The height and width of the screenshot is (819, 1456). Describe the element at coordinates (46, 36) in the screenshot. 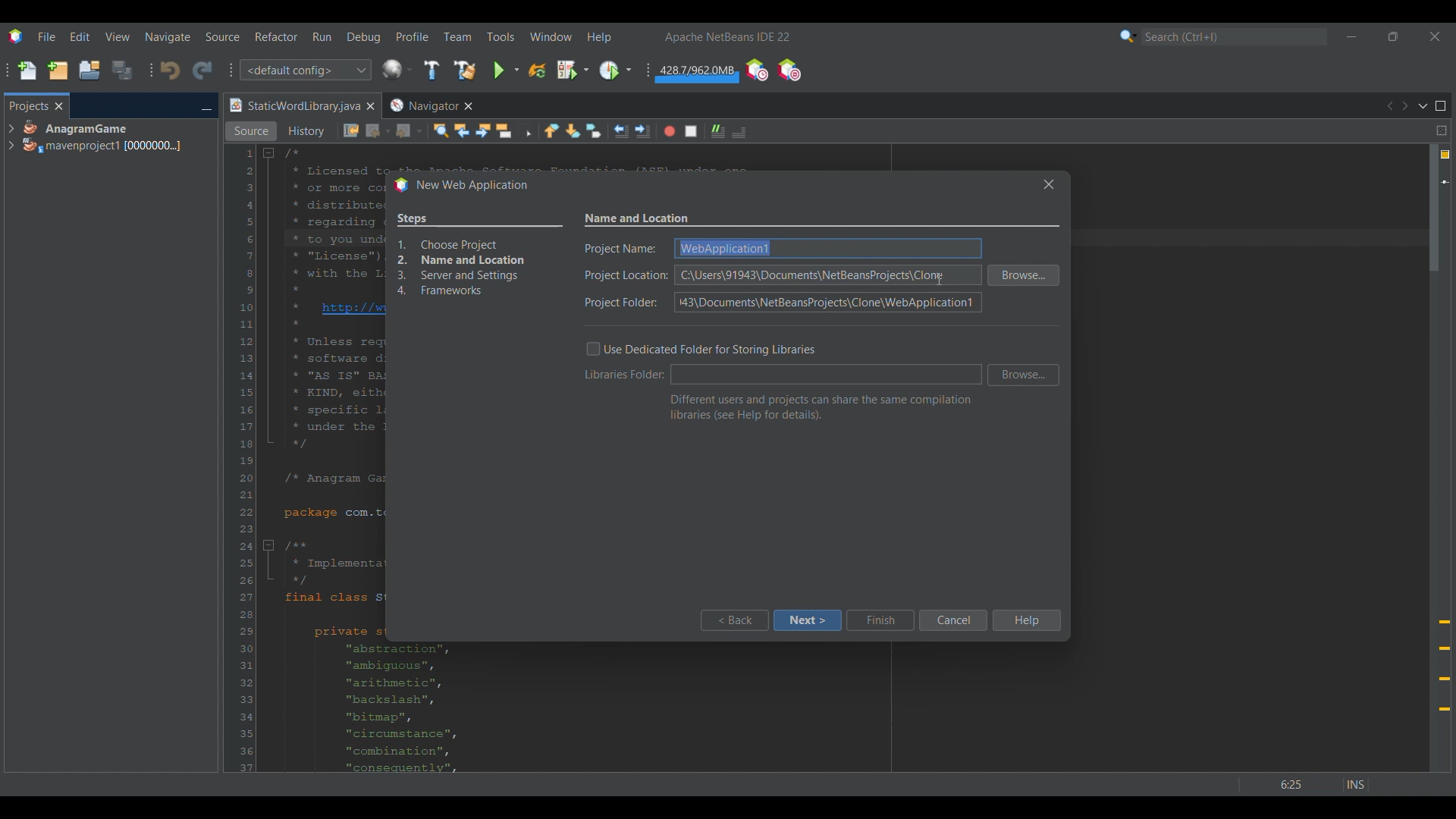

I see `File menu` at that location.